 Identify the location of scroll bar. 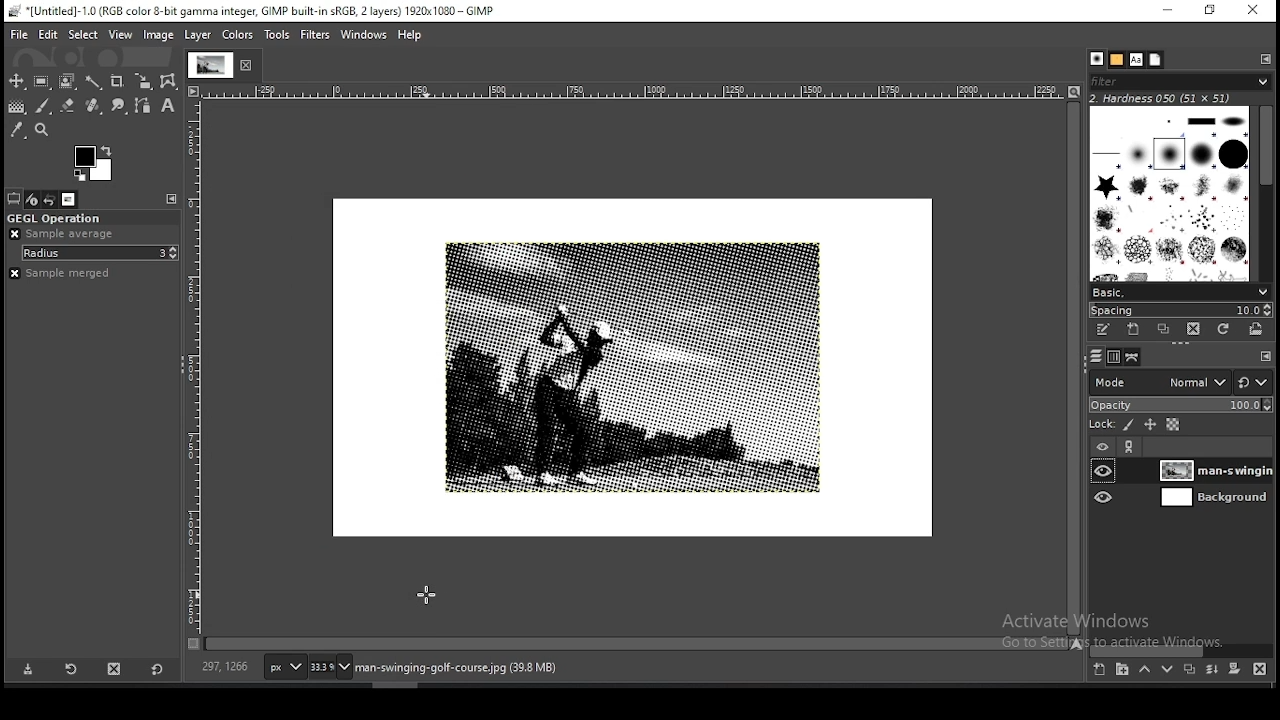
(1182, 649).